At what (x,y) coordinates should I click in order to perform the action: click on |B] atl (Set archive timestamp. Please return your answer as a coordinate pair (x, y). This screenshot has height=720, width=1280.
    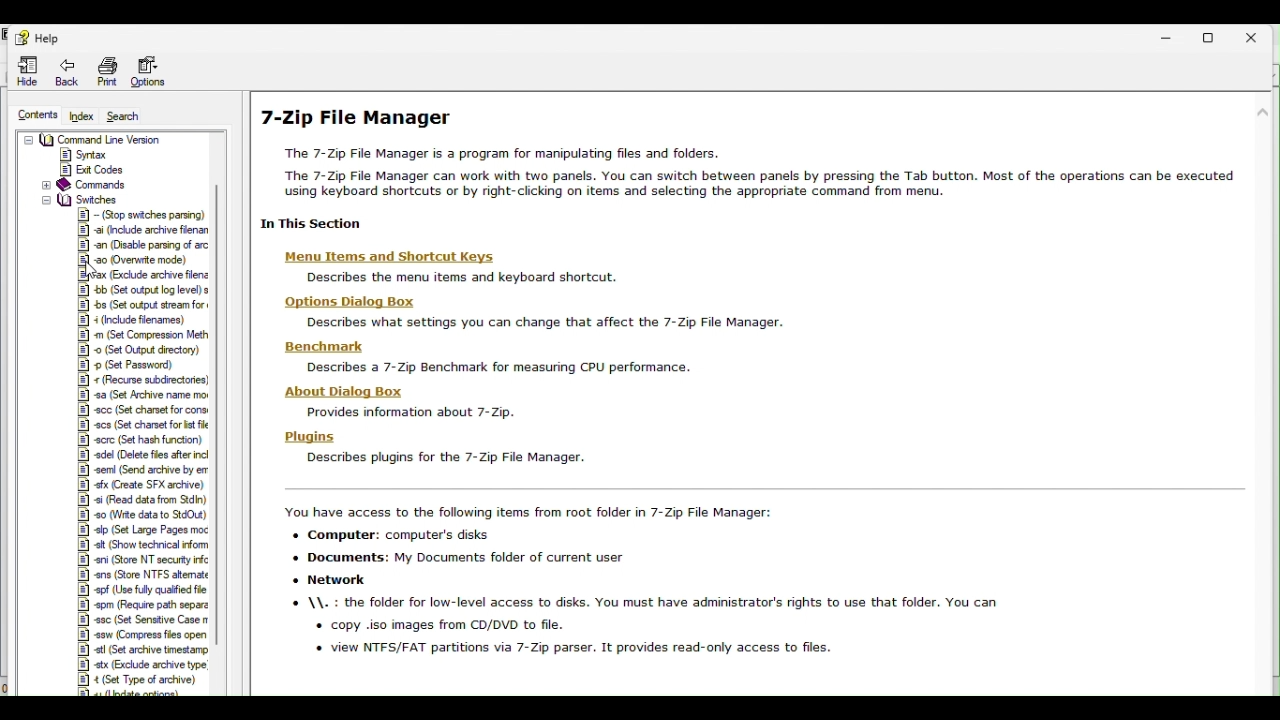
    Looking at the image, I should click on (141, 649).